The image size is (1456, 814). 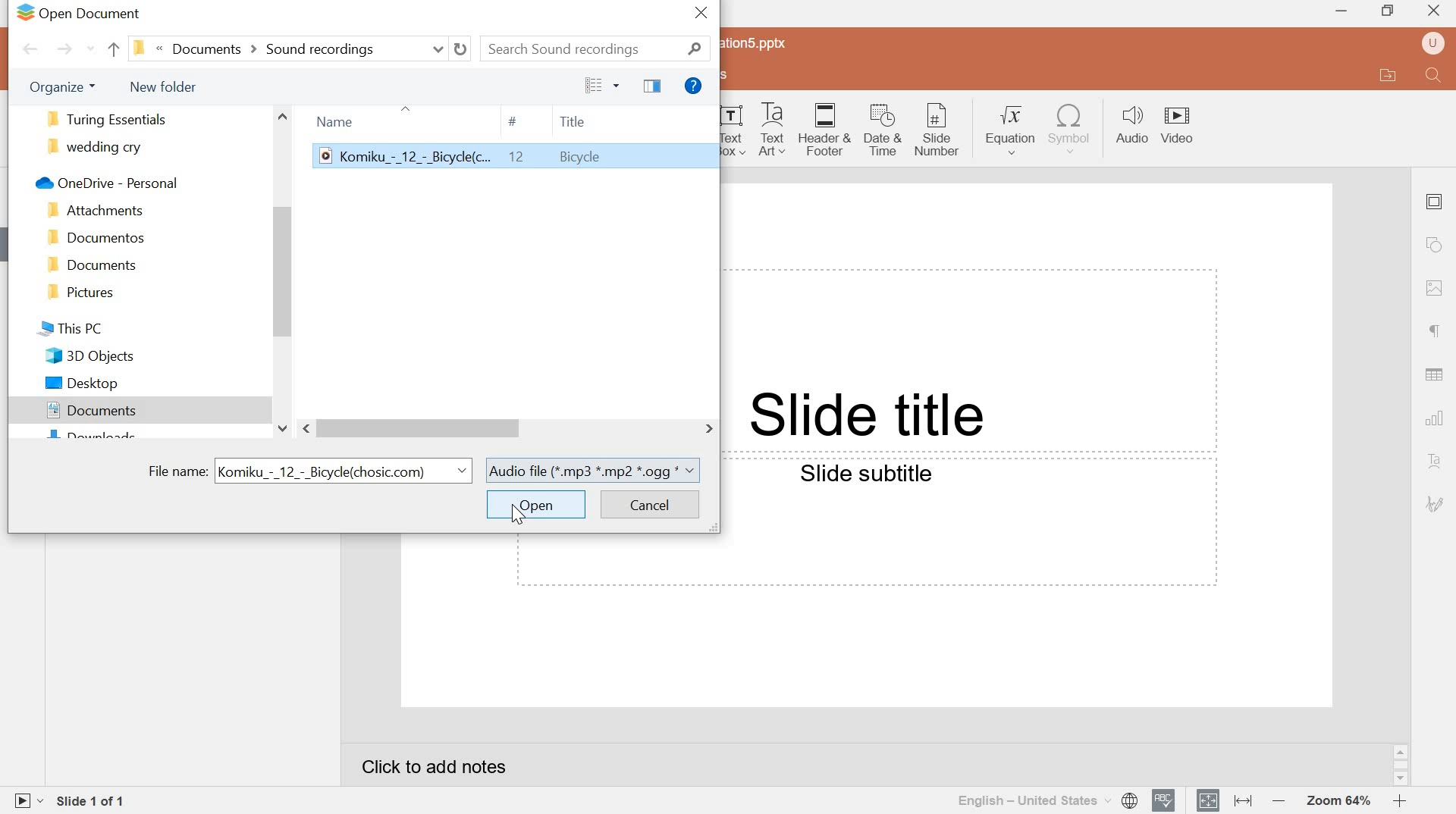 What do you see at coordinates (700, 16) in the screenshot?
I see `close window` at bounding box center [700, 16].